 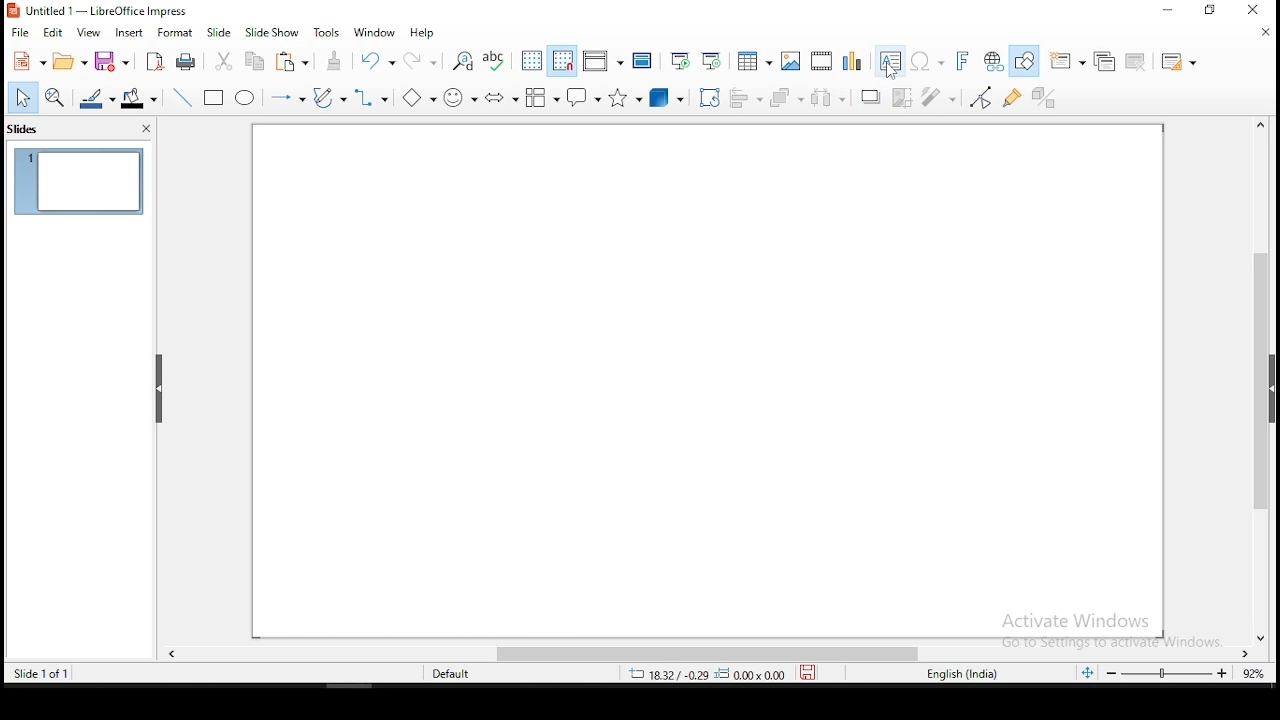 I want to click on cut, so click(x=225, y=61).